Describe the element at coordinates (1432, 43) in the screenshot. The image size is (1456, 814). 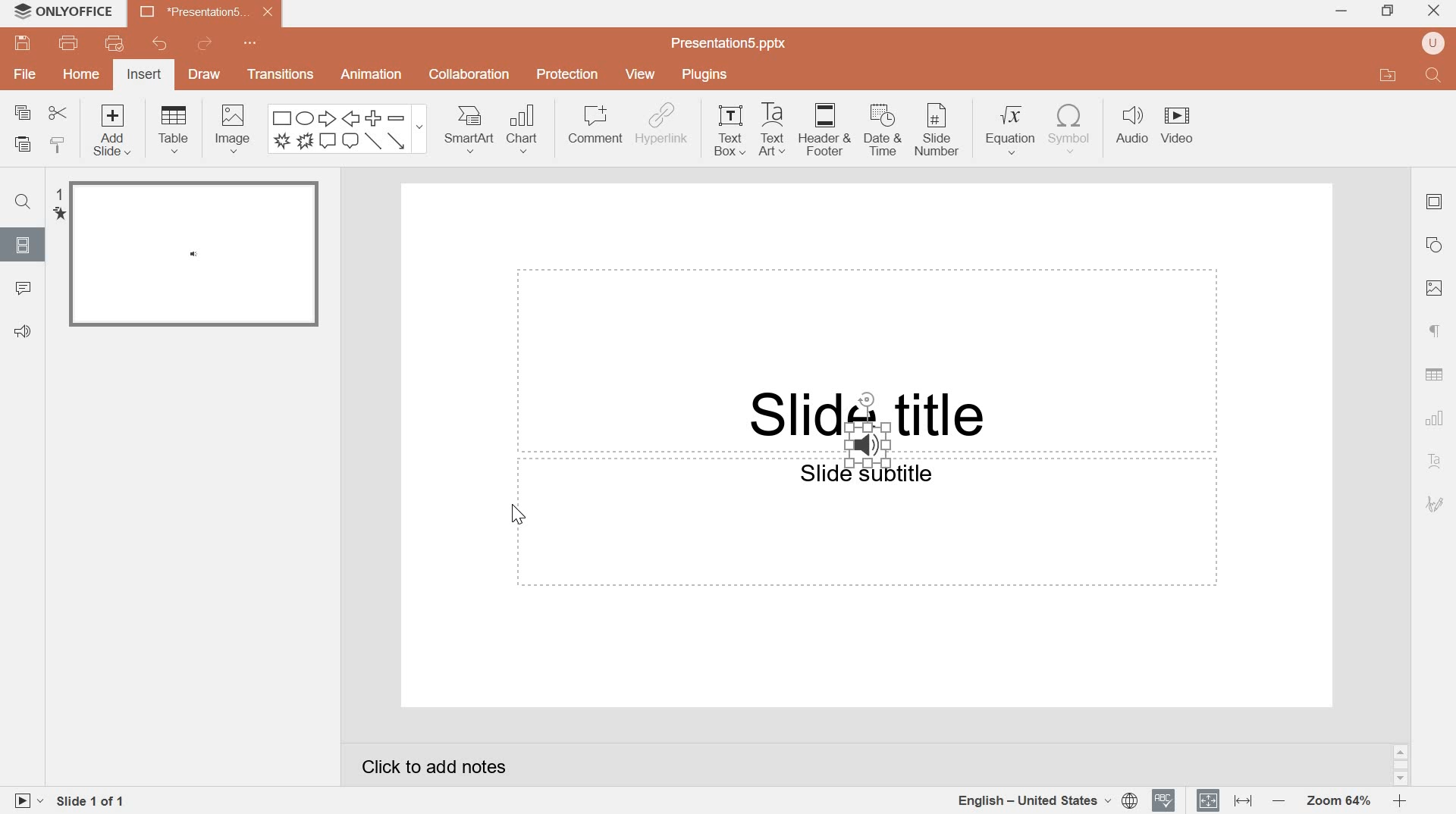
I see `user` at that location.